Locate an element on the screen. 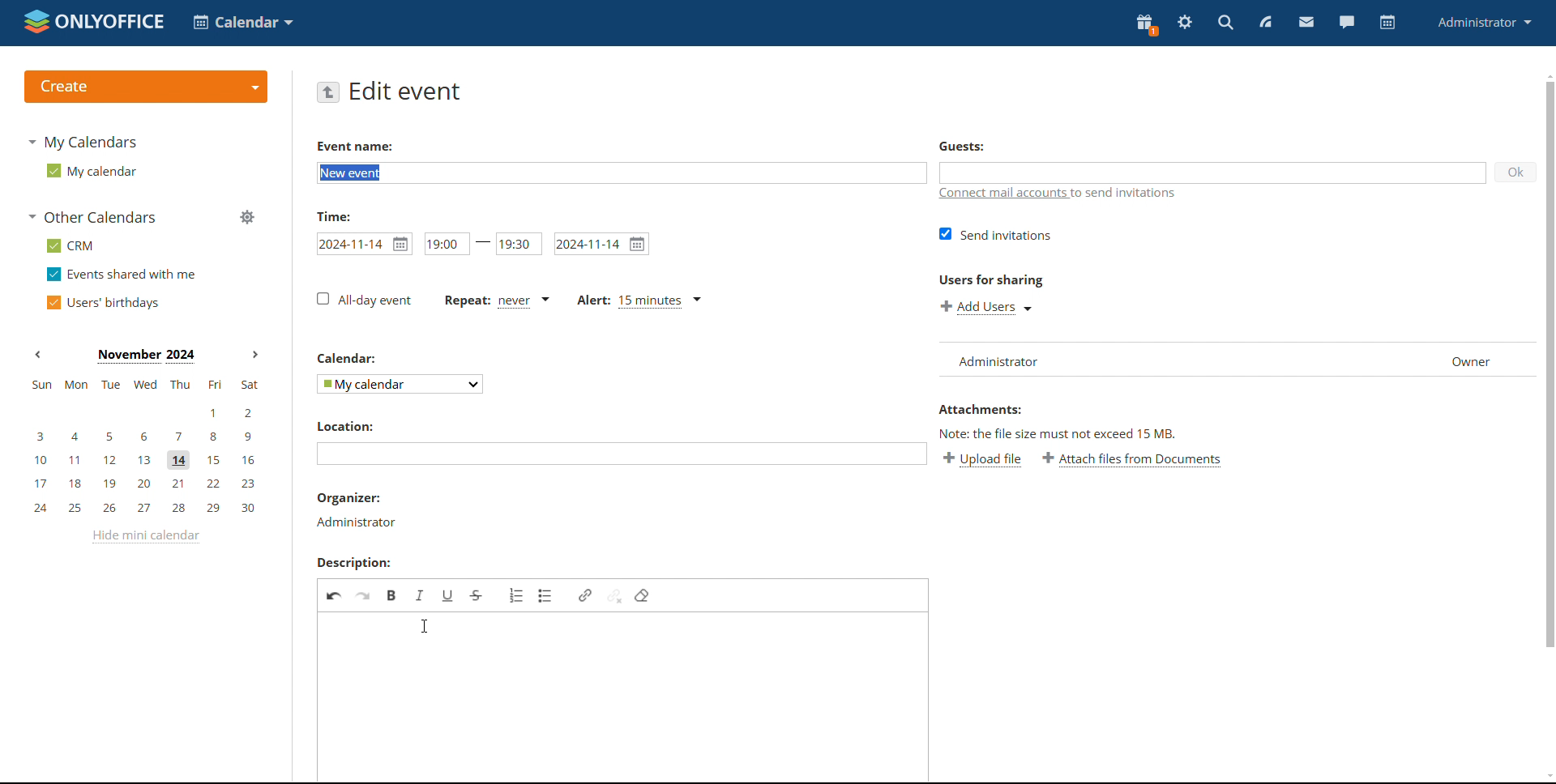 Image resolution: width=1556 pixels, height=784 pixels. manage is located at coordinates (247, 219).